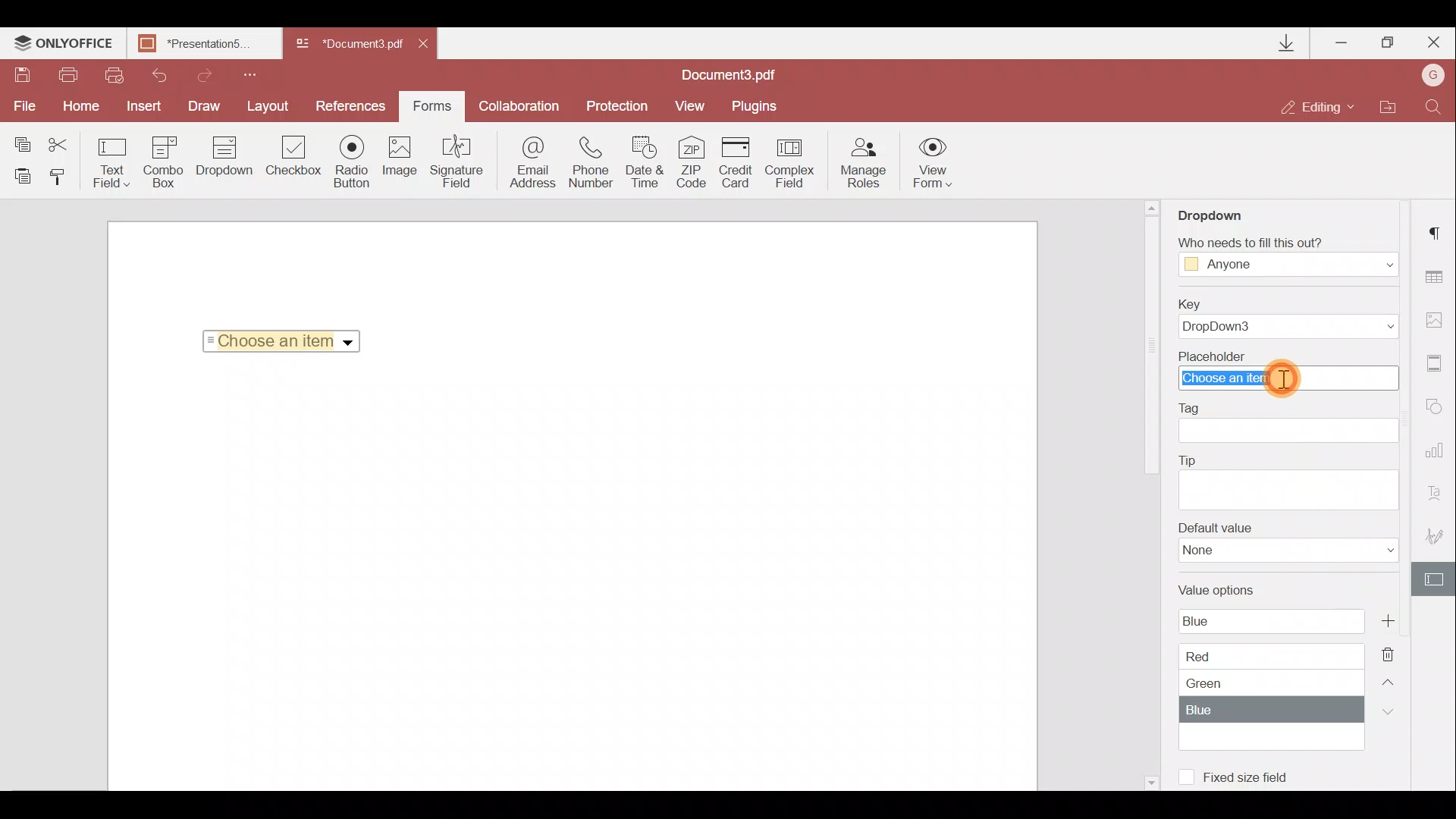 The width and height of the screenshot is (1456, 819). I want to click on Cut, so click(60, 140).